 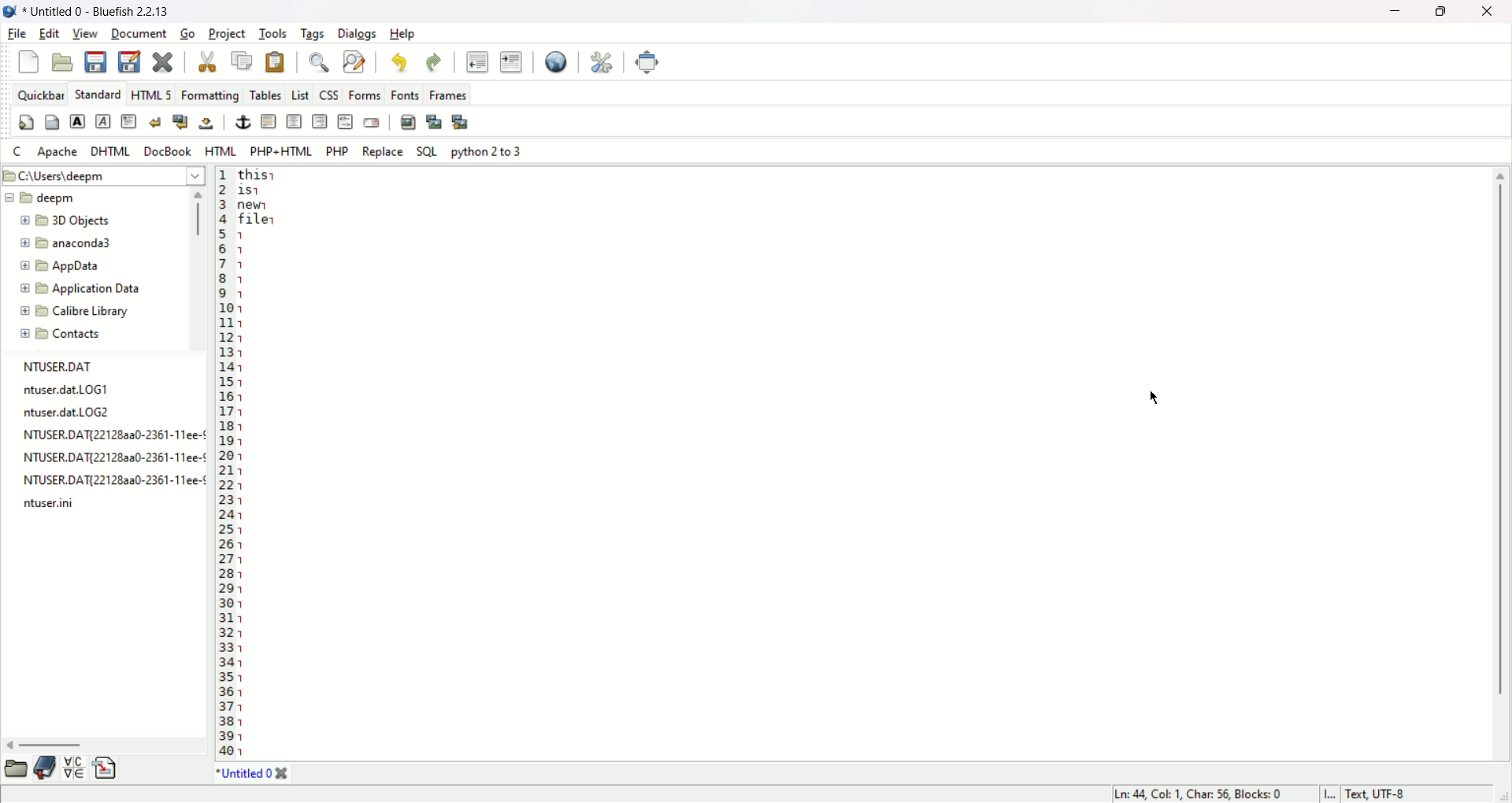 I want to click on insert thumbnail, so click(x=435, y=121).